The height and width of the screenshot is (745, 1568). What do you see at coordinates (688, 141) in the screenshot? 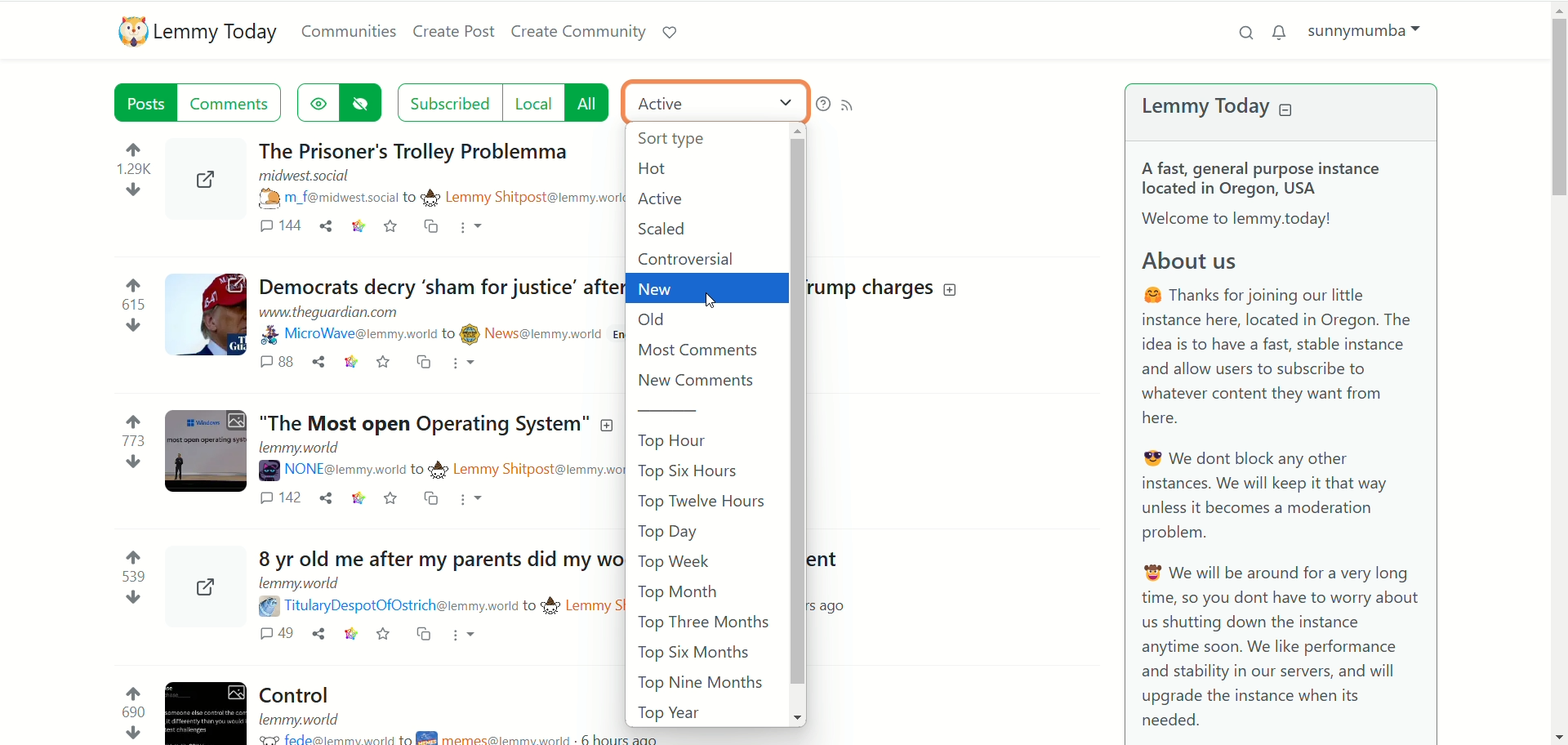
I see `sort type` at bounding box center [688, 141].